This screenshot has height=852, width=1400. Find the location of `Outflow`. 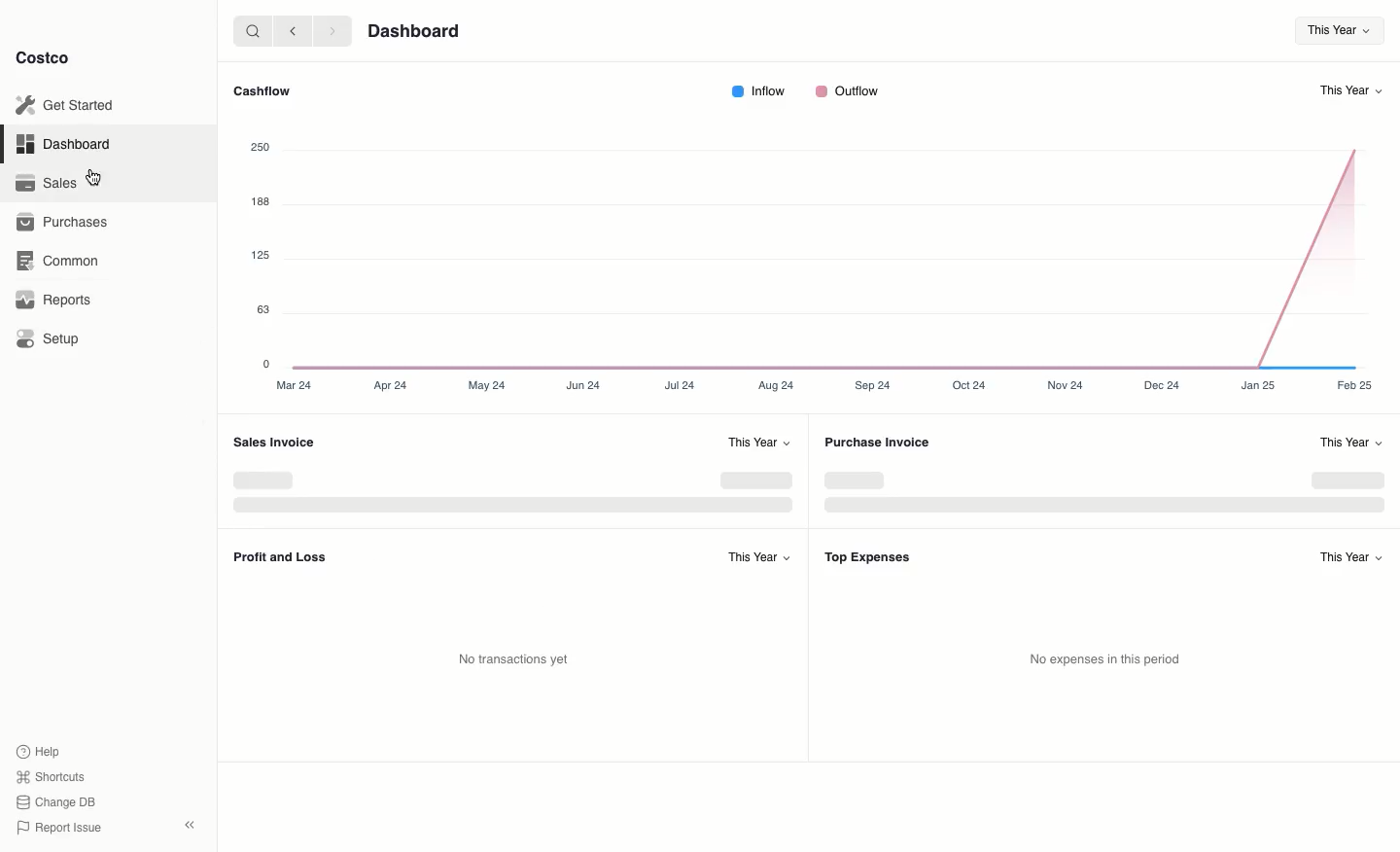

Outflow is located at coordinates (846, 91).